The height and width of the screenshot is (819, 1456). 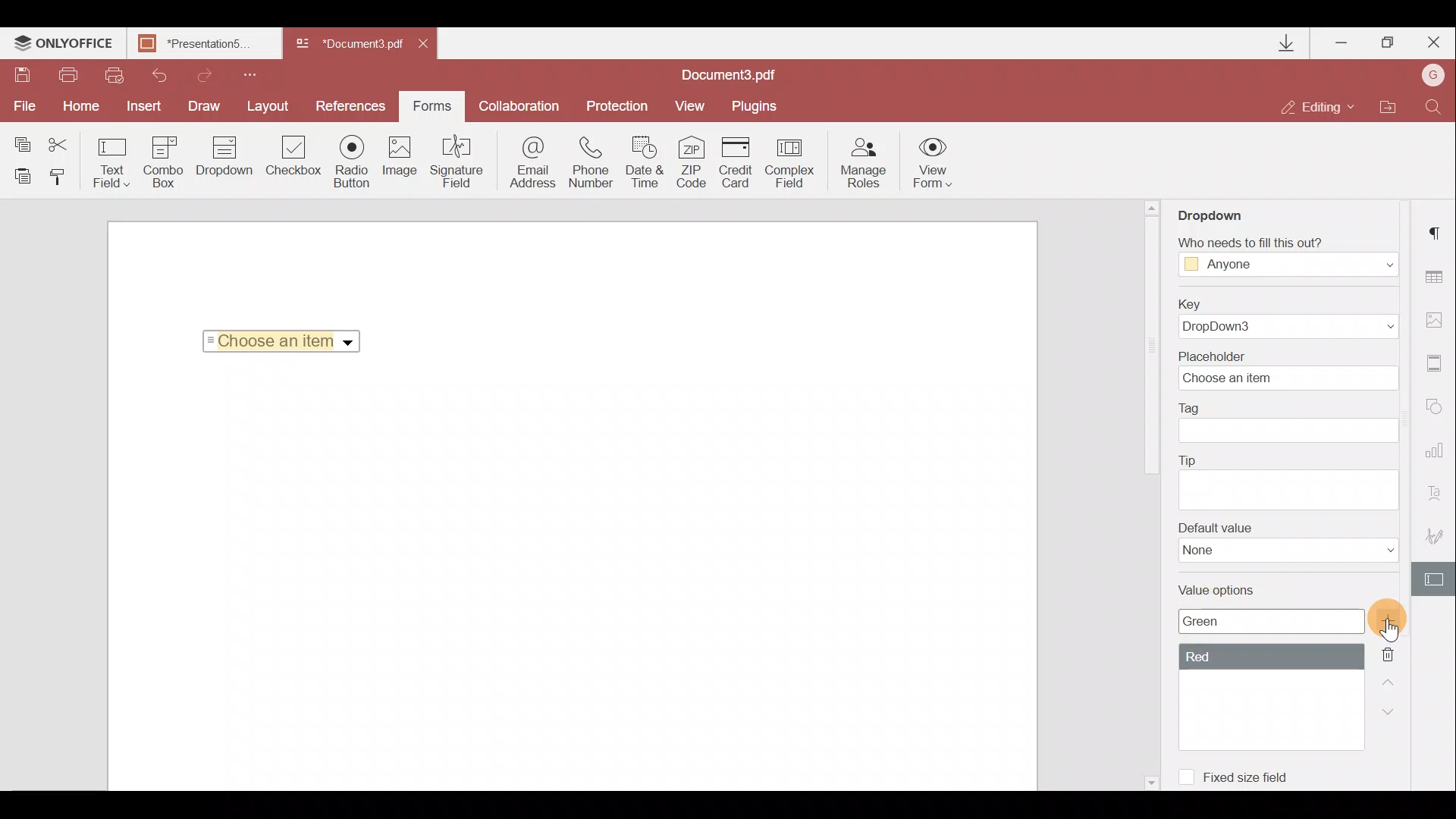 I want to click on Add, so click(x=1387, y=620).